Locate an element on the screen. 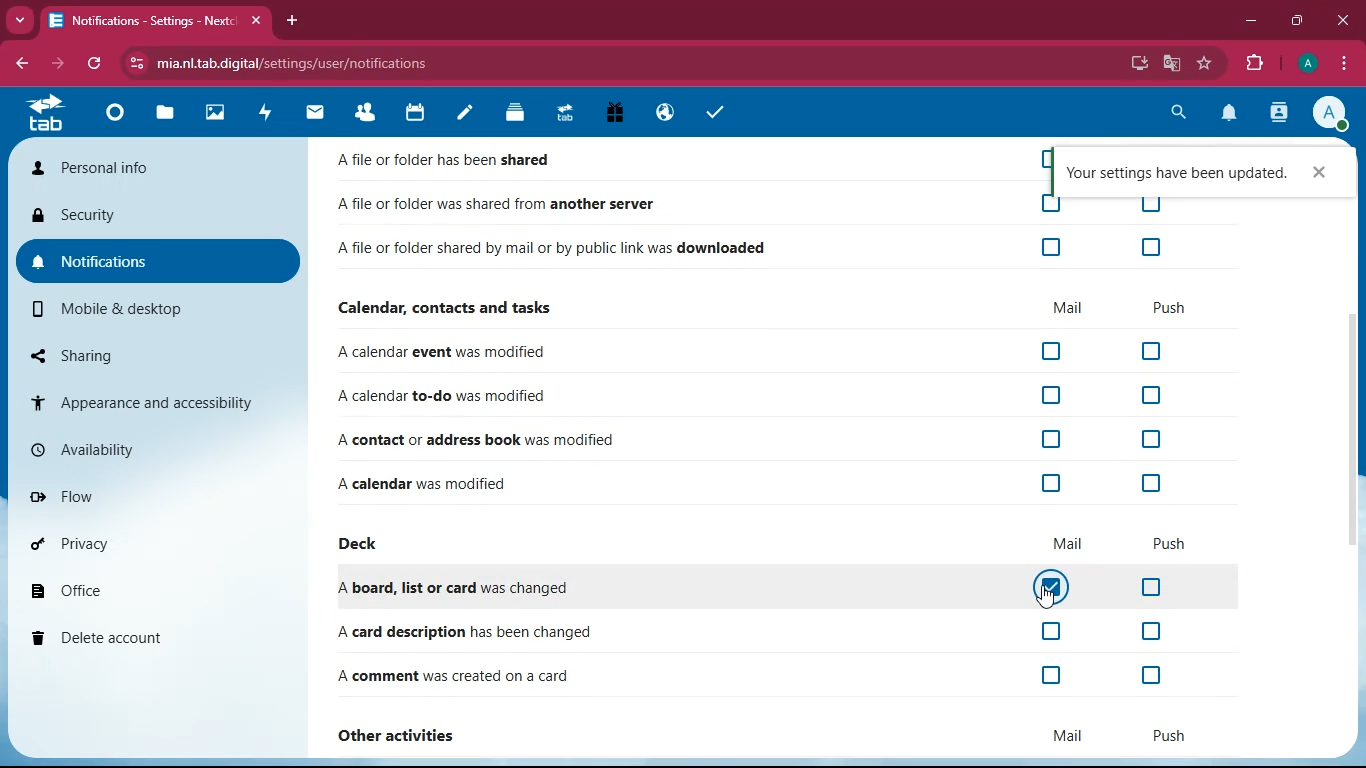 Image resolution: width=1366 pixels, height=768 pixels. mail is located at coordinates (1071, 541).